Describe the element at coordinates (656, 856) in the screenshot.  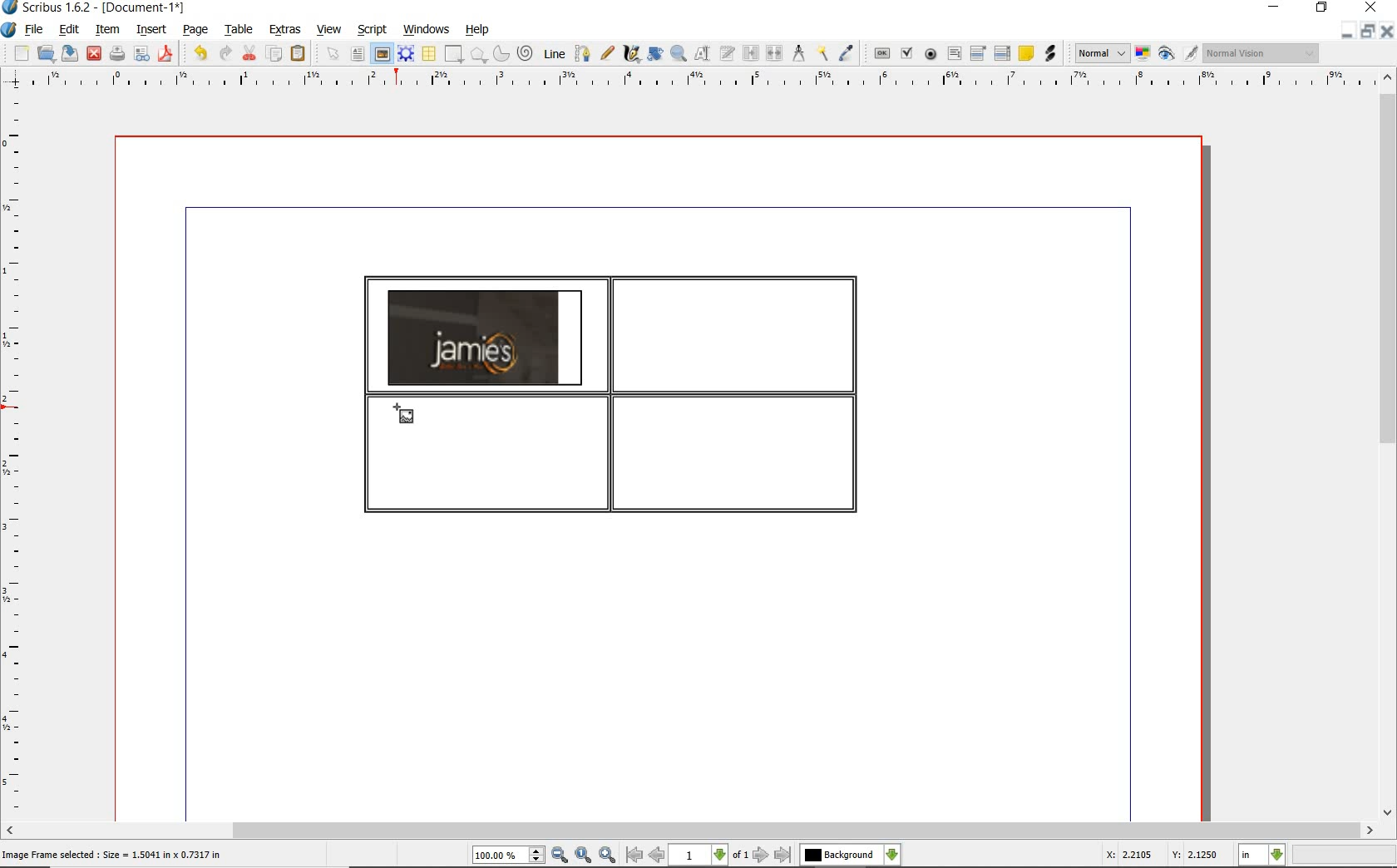
I see `go to previous page` at that location.